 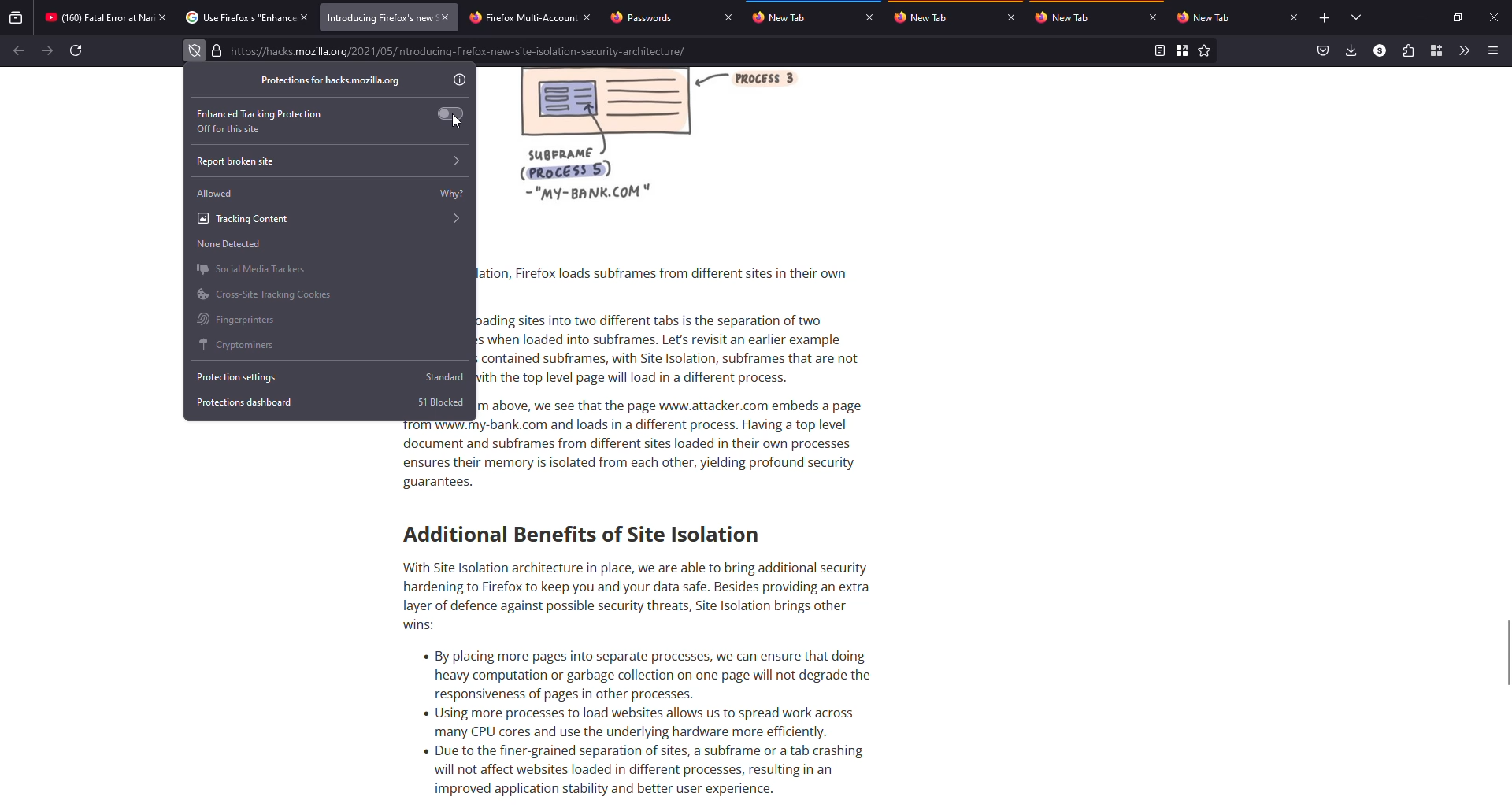 What do you see at coordinates (458, 161) in the screenshot?
I see `expand` at bounding box center [458, 161].